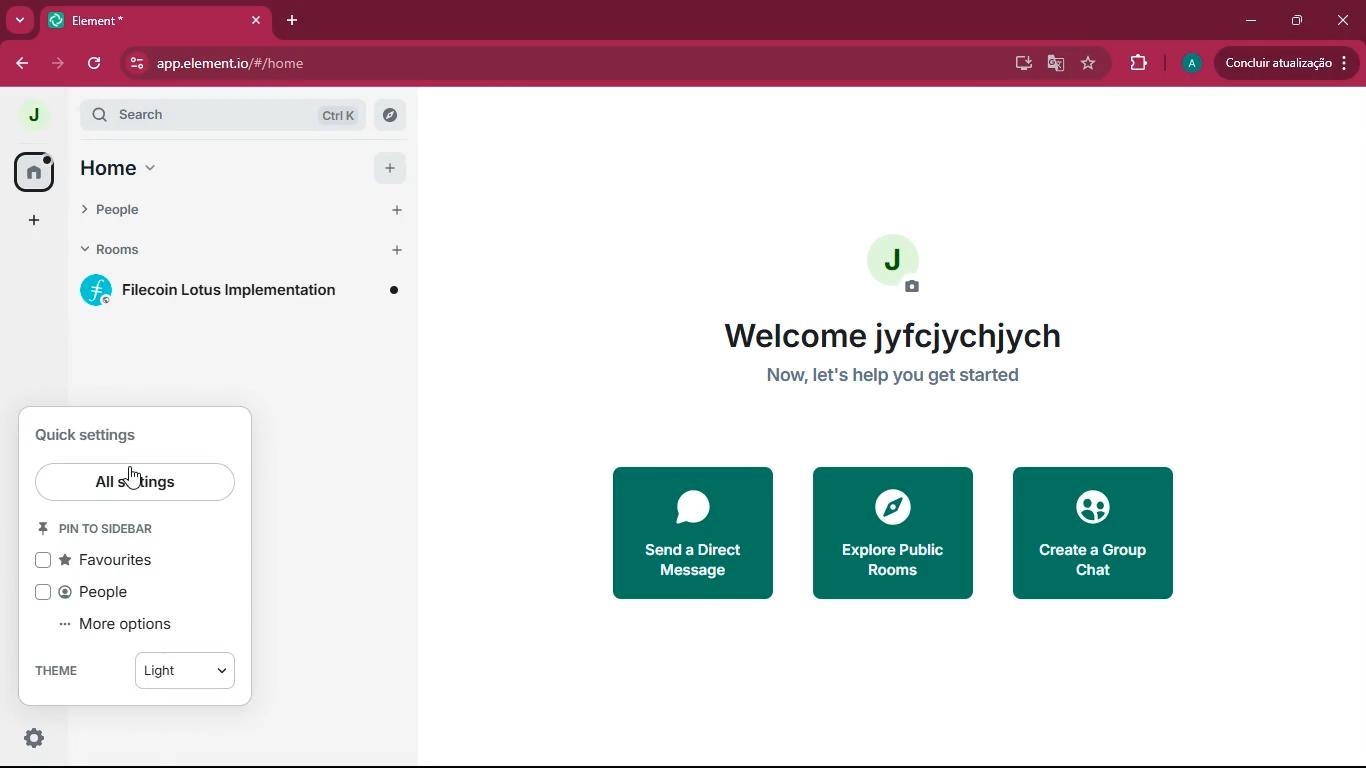 The image size is (1366, 768). What do you see at coordinates (1099, 534) in the screenshot?
I see `create` at bounding box center [1099, 534].